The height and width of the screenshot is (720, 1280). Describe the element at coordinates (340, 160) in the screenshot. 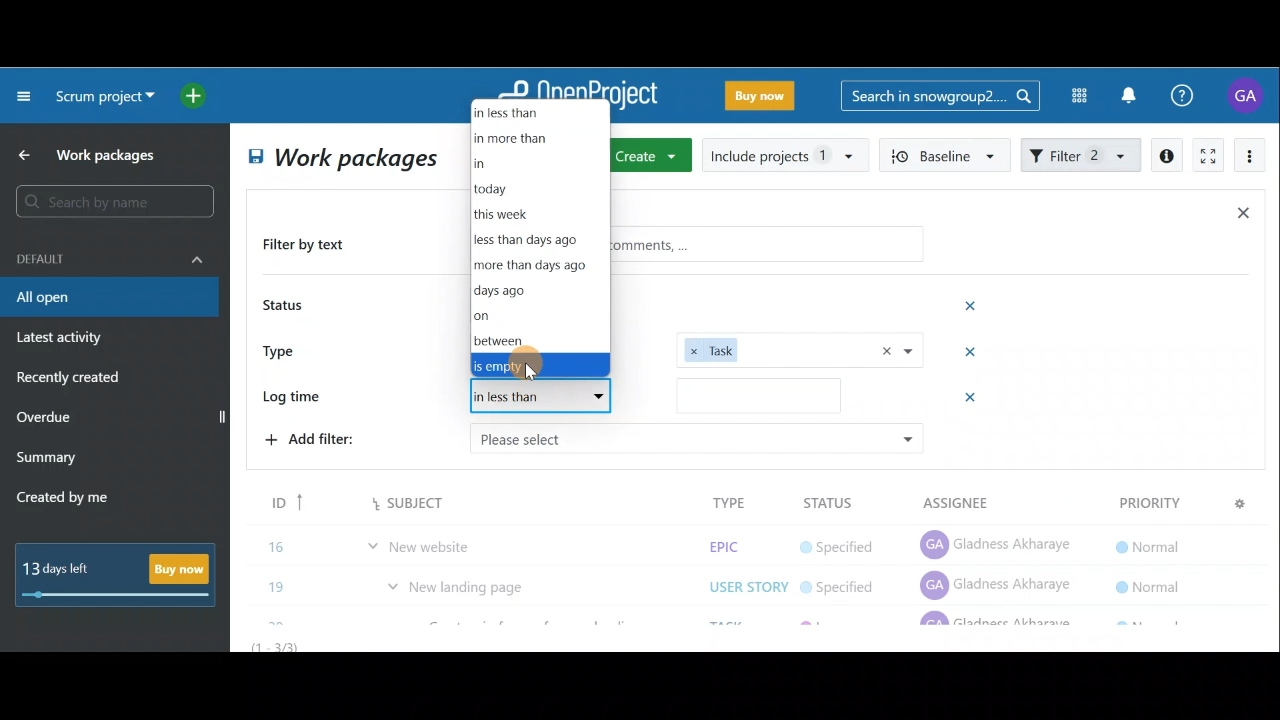

I see `All open` at that location.